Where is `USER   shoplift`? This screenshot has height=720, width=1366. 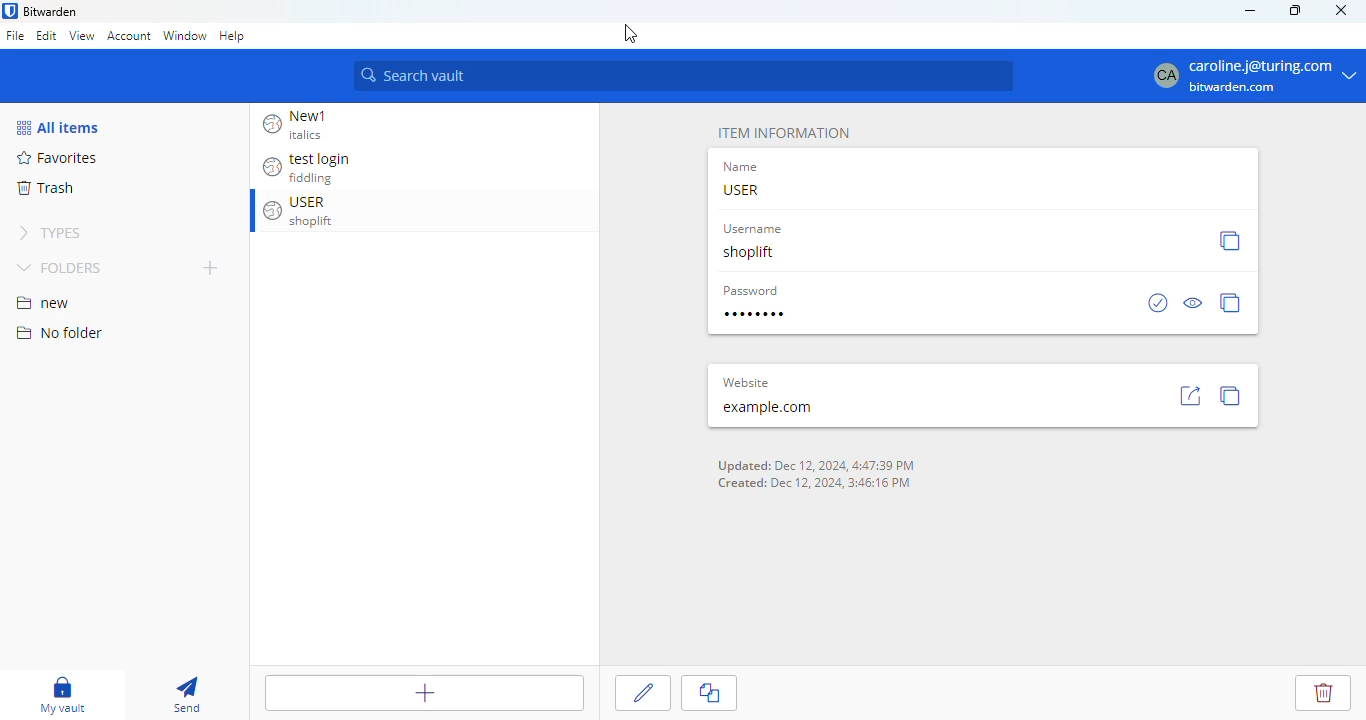 USER   shoplift is located at coordinates (304, 212).